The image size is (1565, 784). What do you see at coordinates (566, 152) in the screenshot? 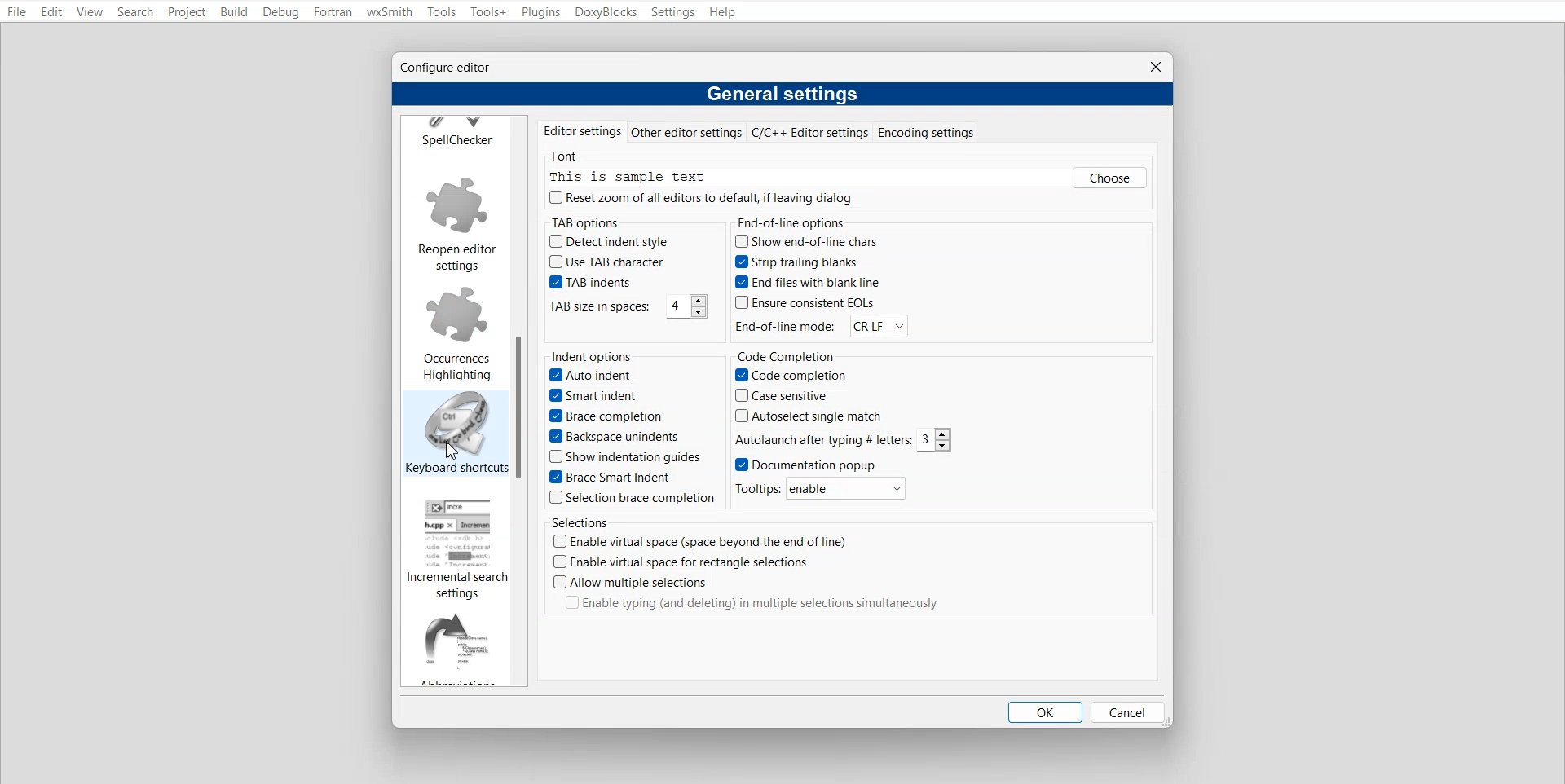
I see `Font` at bounding box center [566, 152].